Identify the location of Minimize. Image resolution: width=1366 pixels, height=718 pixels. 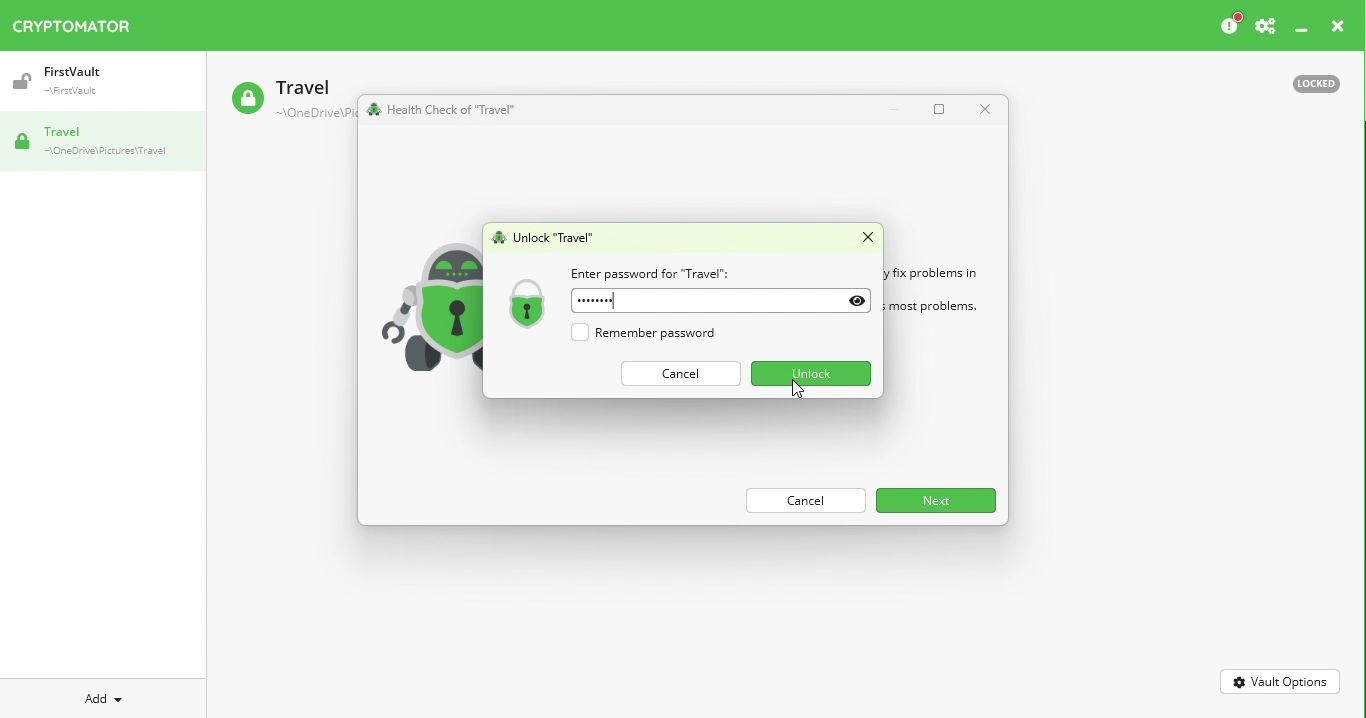
(894, 109).